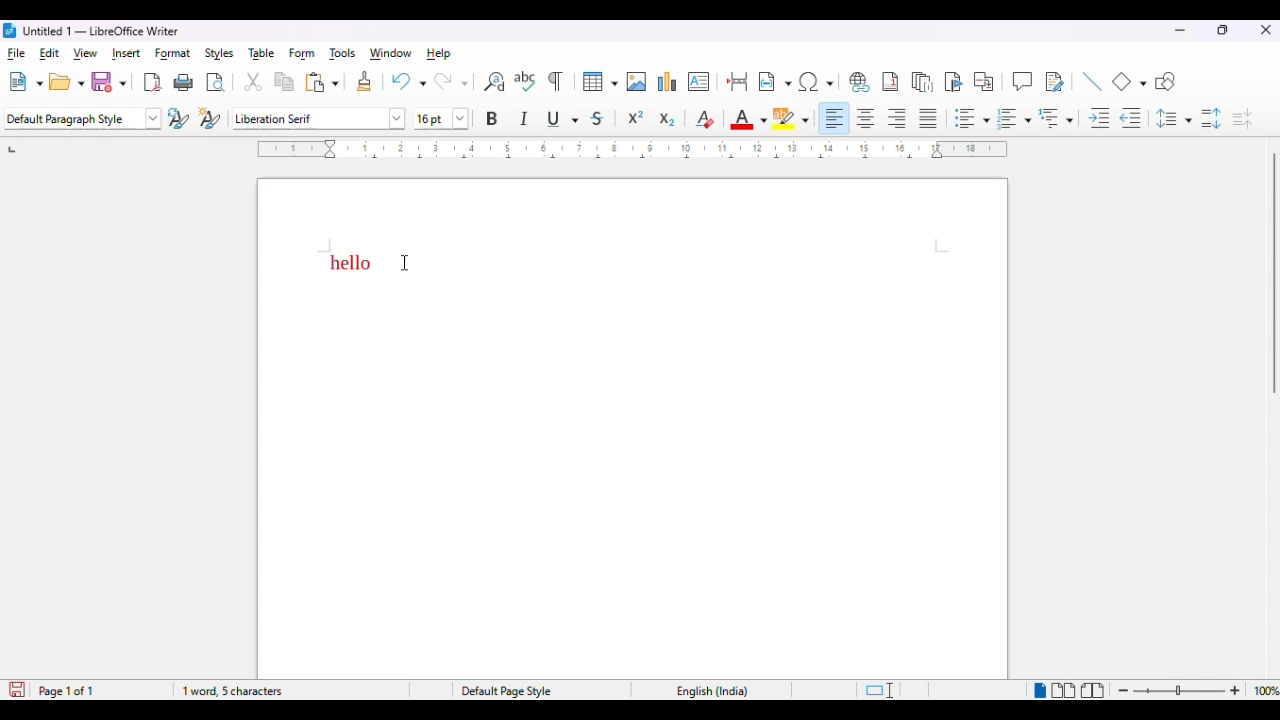  I want to click on cut, so click(253, 82).